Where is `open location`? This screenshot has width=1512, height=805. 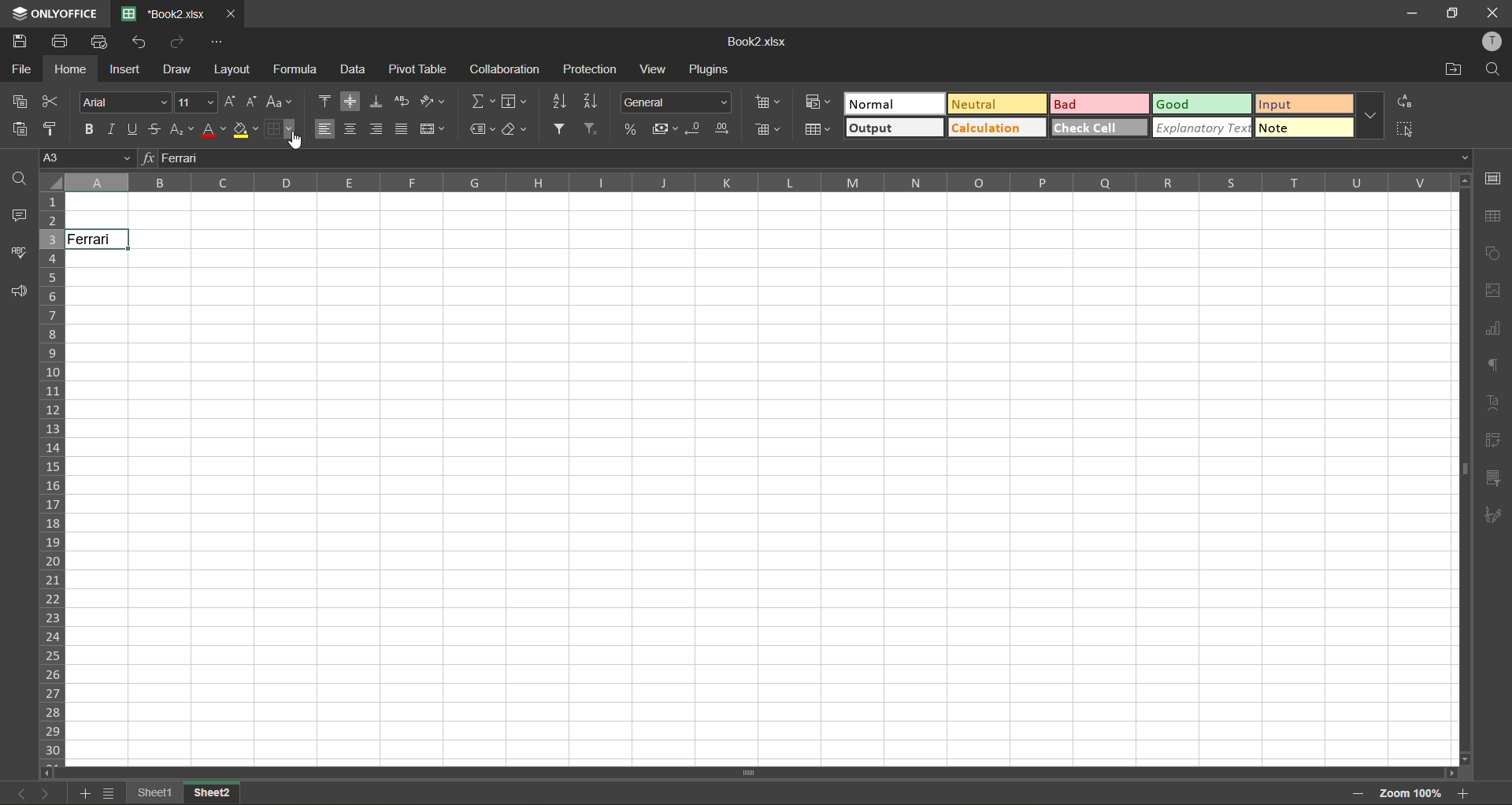 open location is located at coordinates (1455, 69).